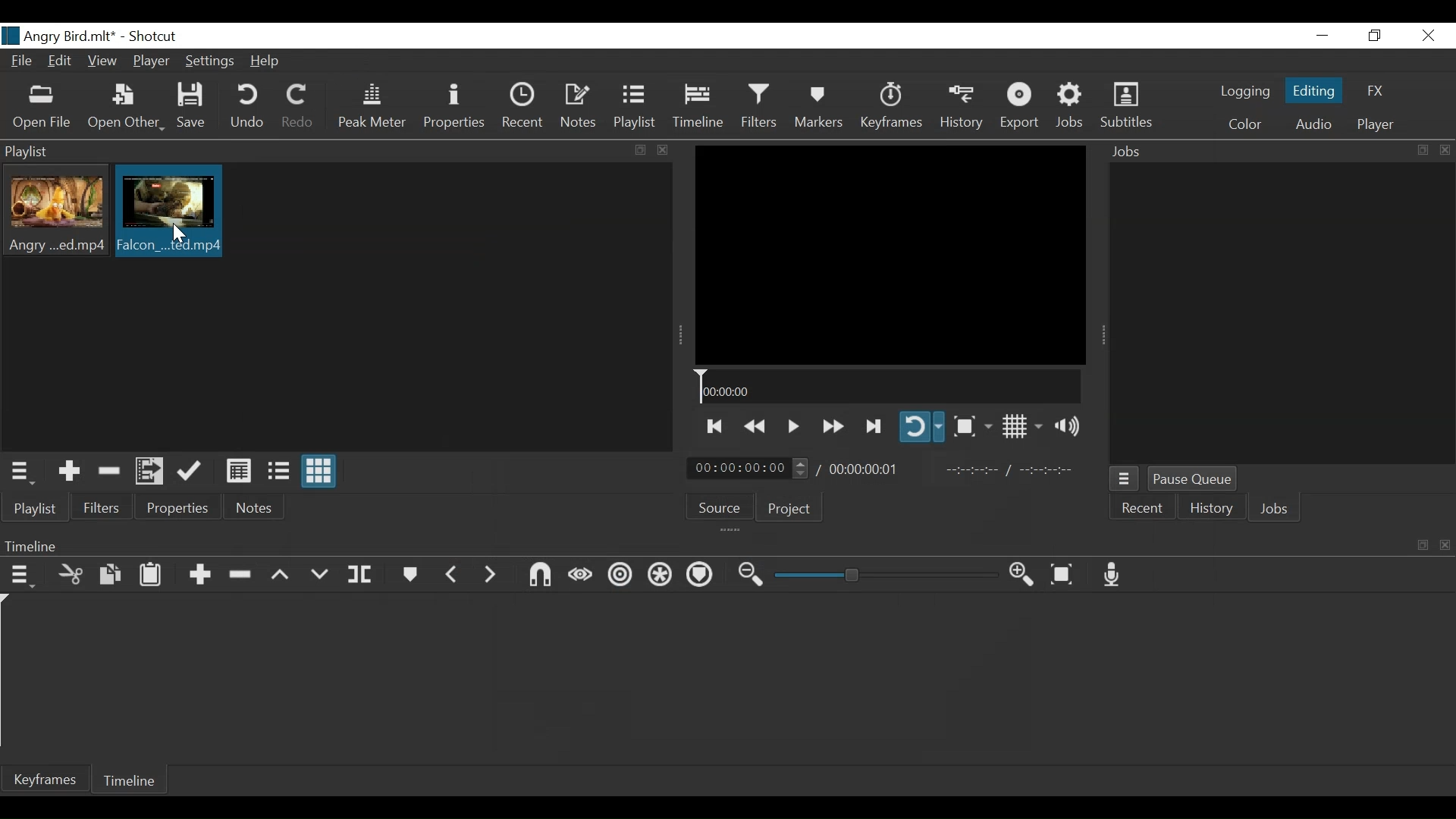 This screenshot has width=1456, height=819. Describe the element at coordinates (170, 212) in the screenshot. I see `Clip` at that location.